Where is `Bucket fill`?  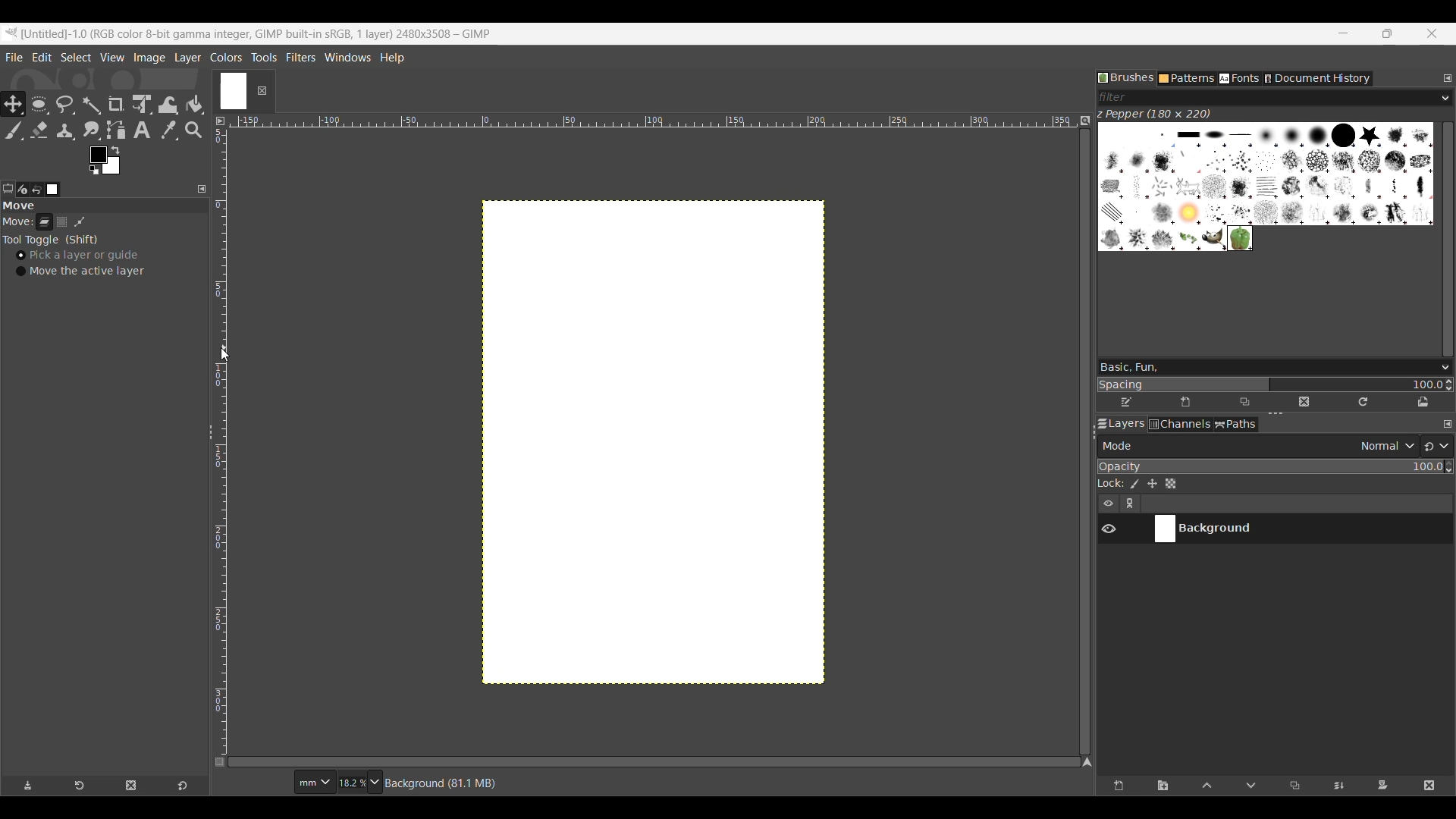
Bucket fill is located at coordinates (195, 105).